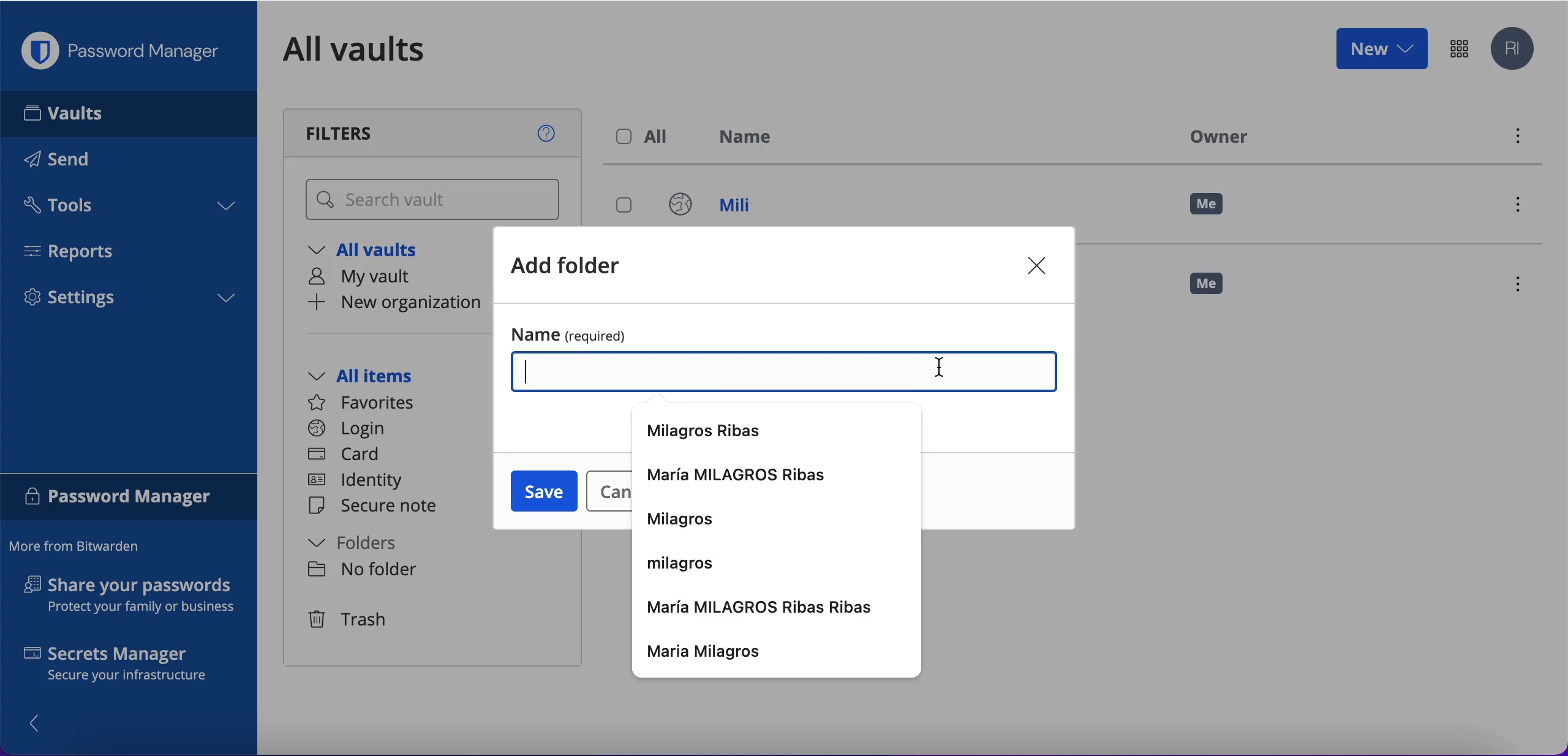 Image resolution: width=1568 pixels, height=756 pixels. I want to click on new organization, so click(392, 304).